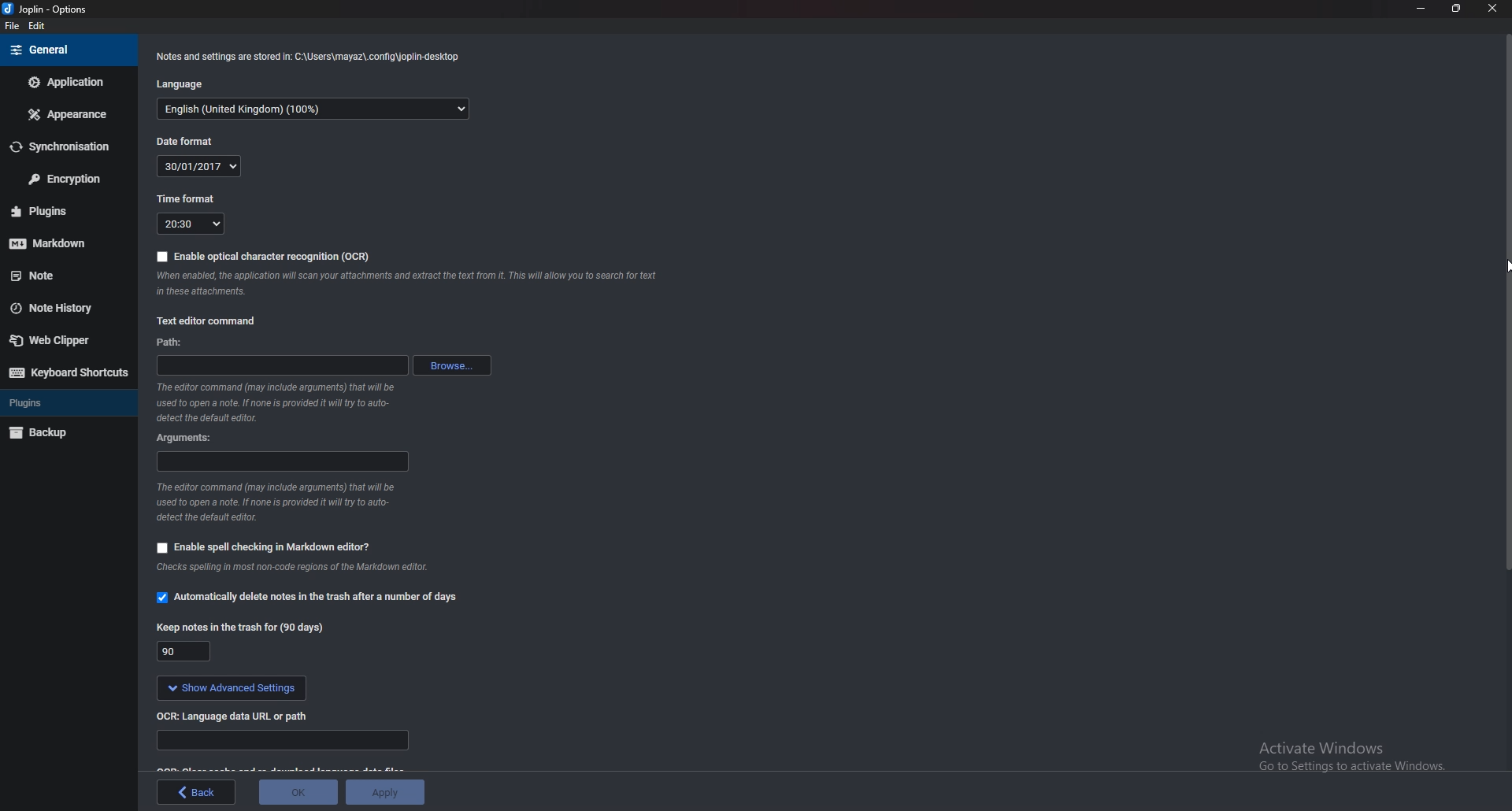 The width and height of the screenshot is (1512, 811). What do you see at coordinates (299, 791) in the screenshot?
I see `ok` at bounding box center [299, 791].